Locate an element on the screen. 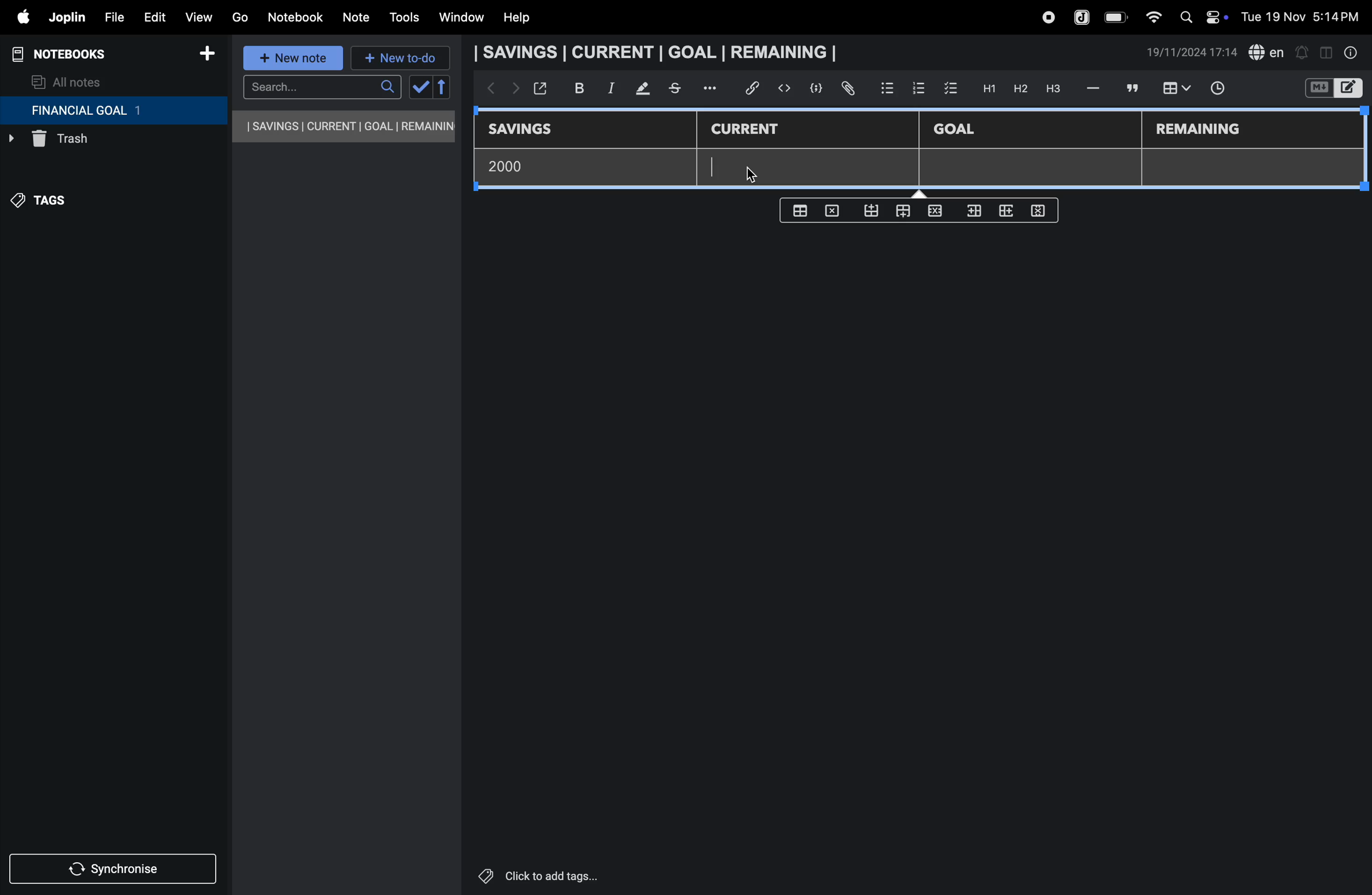 The image size is (1372, 895). reverse sort order is located at coordinates (443, 87).